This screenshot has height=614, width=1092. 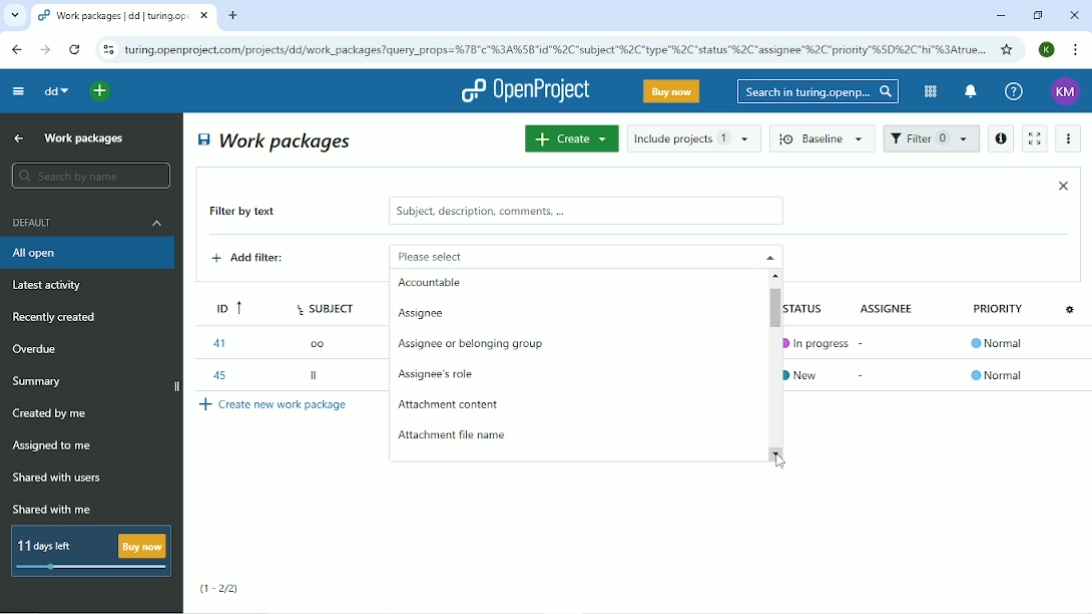 What do you see at coordinates (450, 405) in the screenshot?
I see `attachment content` at bounding box center [450, 405].